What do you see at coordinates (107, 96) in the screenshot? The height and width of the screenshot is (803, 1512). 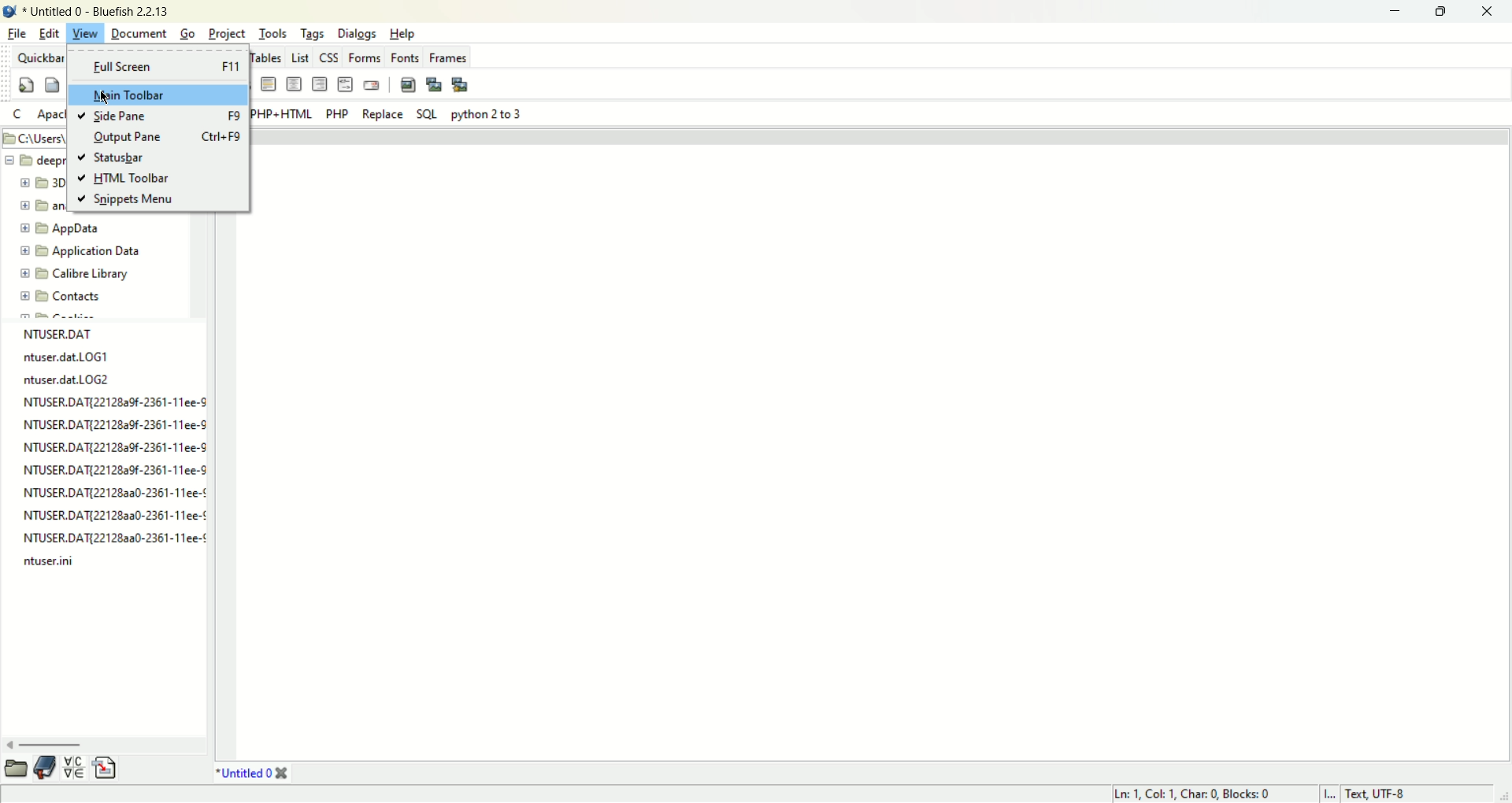 I see `cursor` at bounding box center [107, 96].